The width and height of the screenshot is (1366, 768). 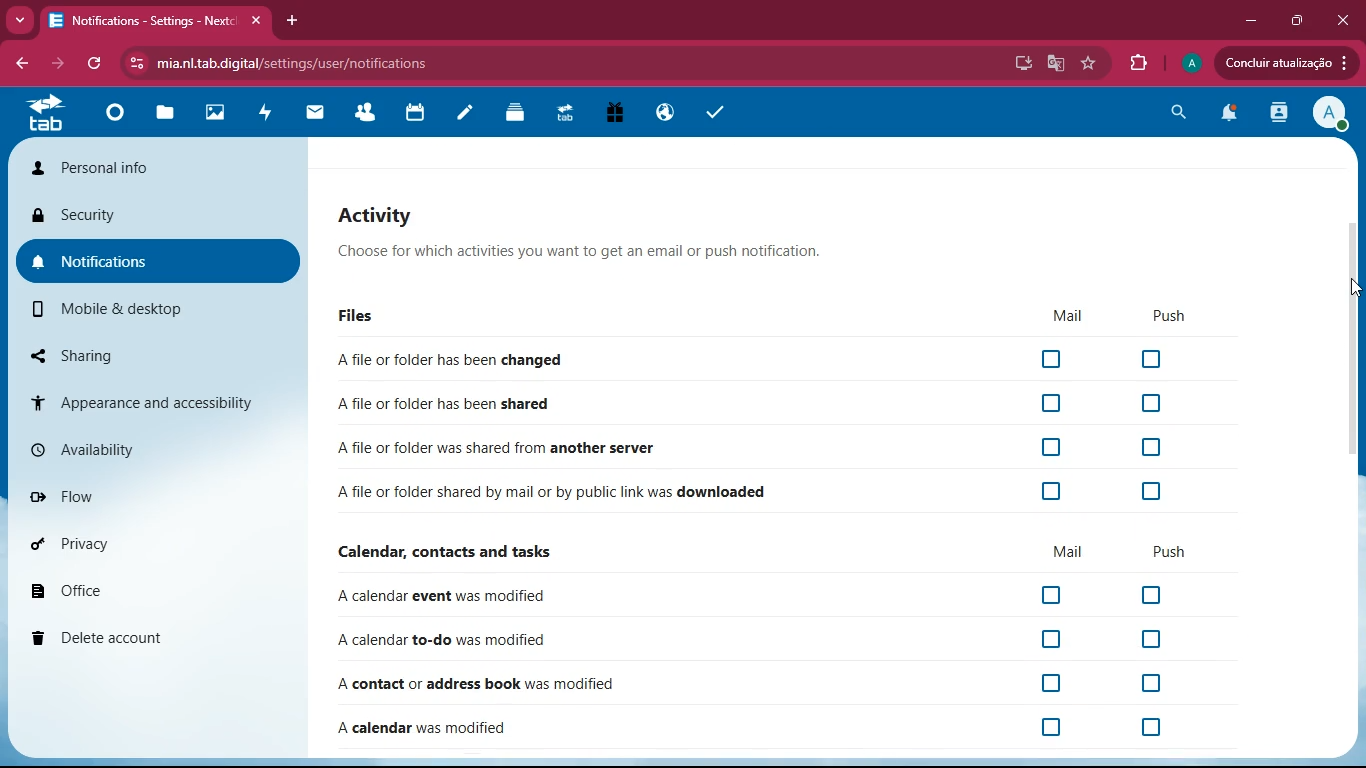 What do you see at coordinates (1140, 63) in the screenshot?
I see `extensions` at bounding box center [1140, 63].